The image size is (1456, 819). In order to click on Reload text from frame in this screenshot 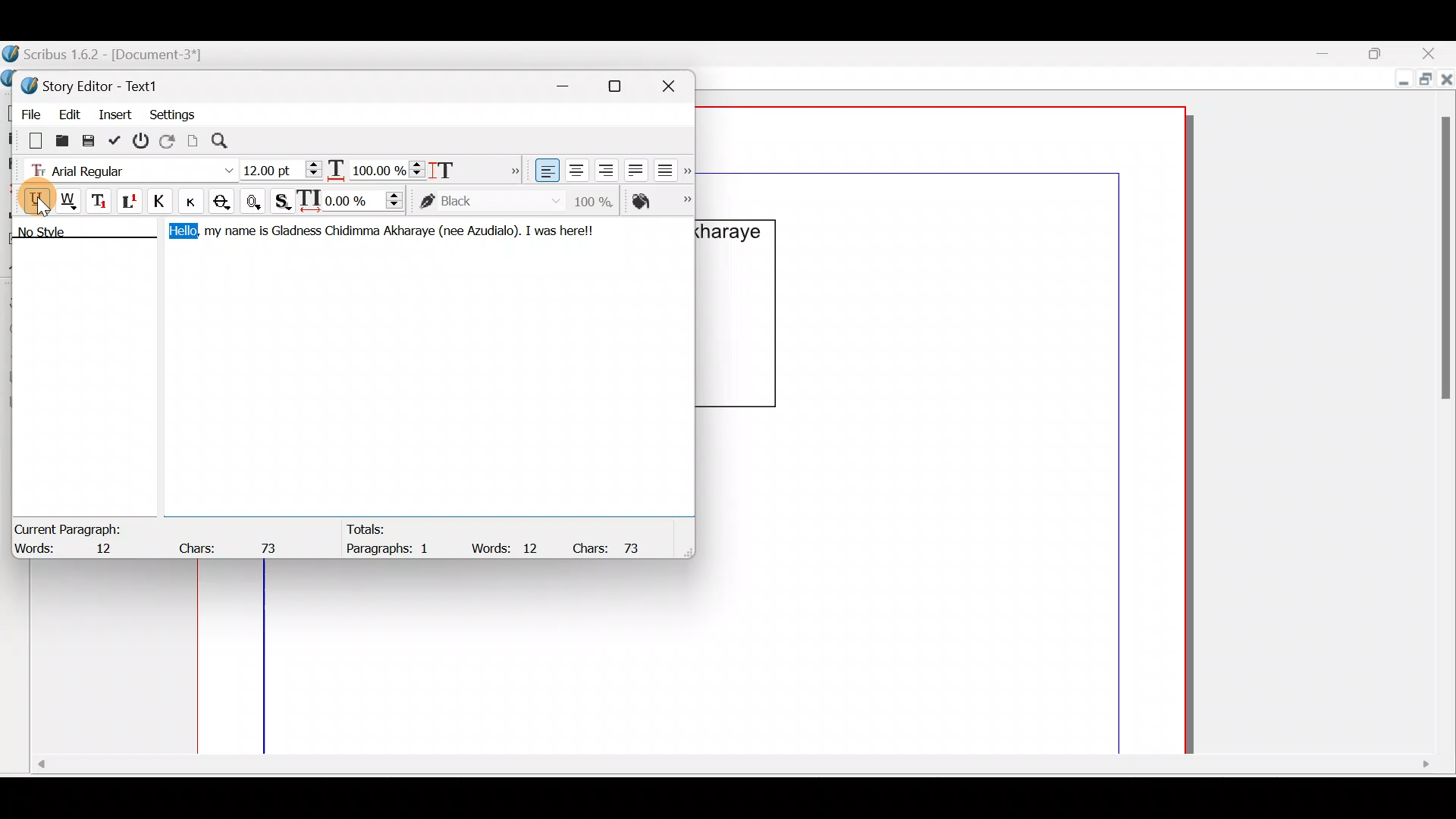, I will do `click(169, 140)`.